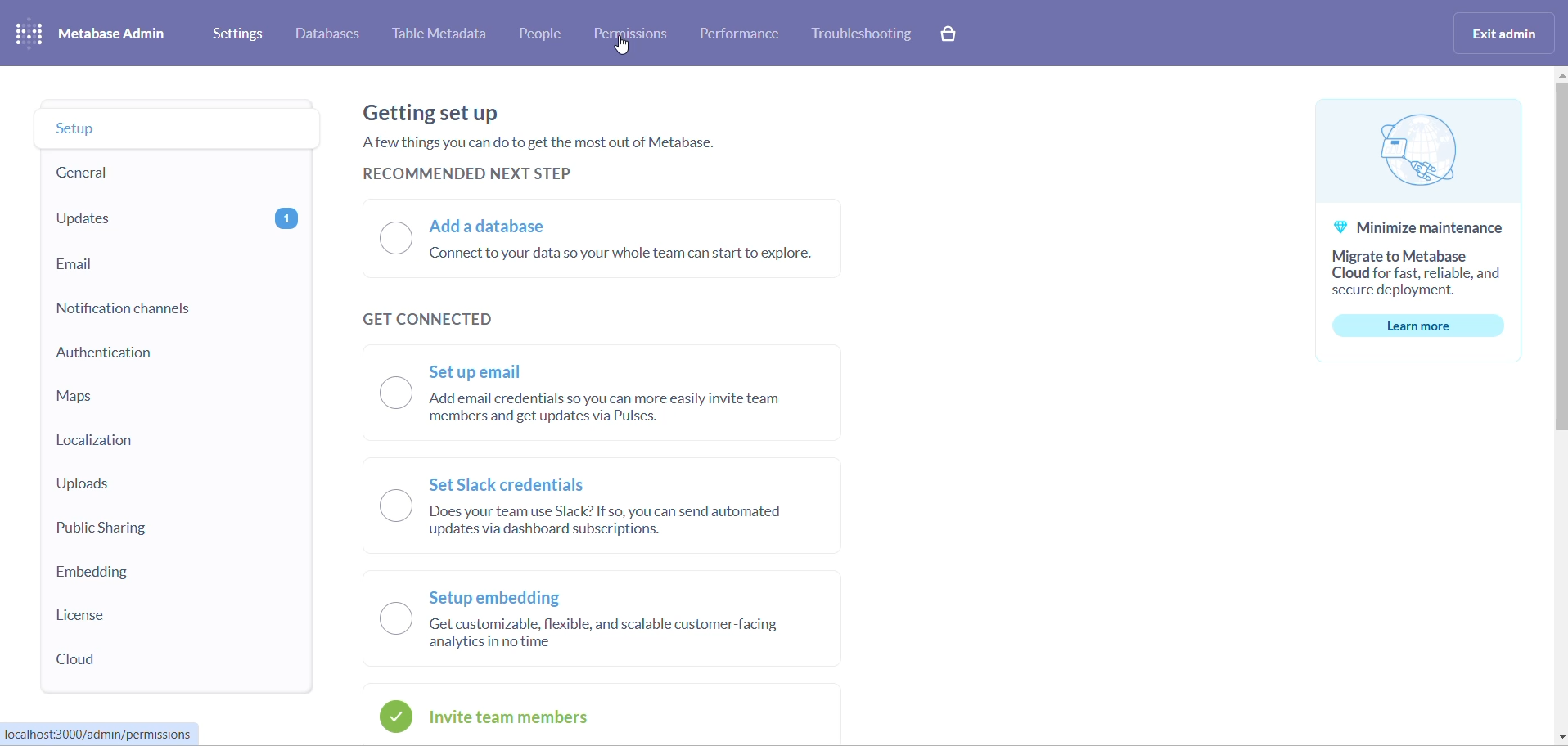 Image resolution: width=1568 pixels, height=746 pixels. What do you see at coordinates (583, 712) in the screenshot?
I see `invite team members radio button` at bounding box center [583, 712].